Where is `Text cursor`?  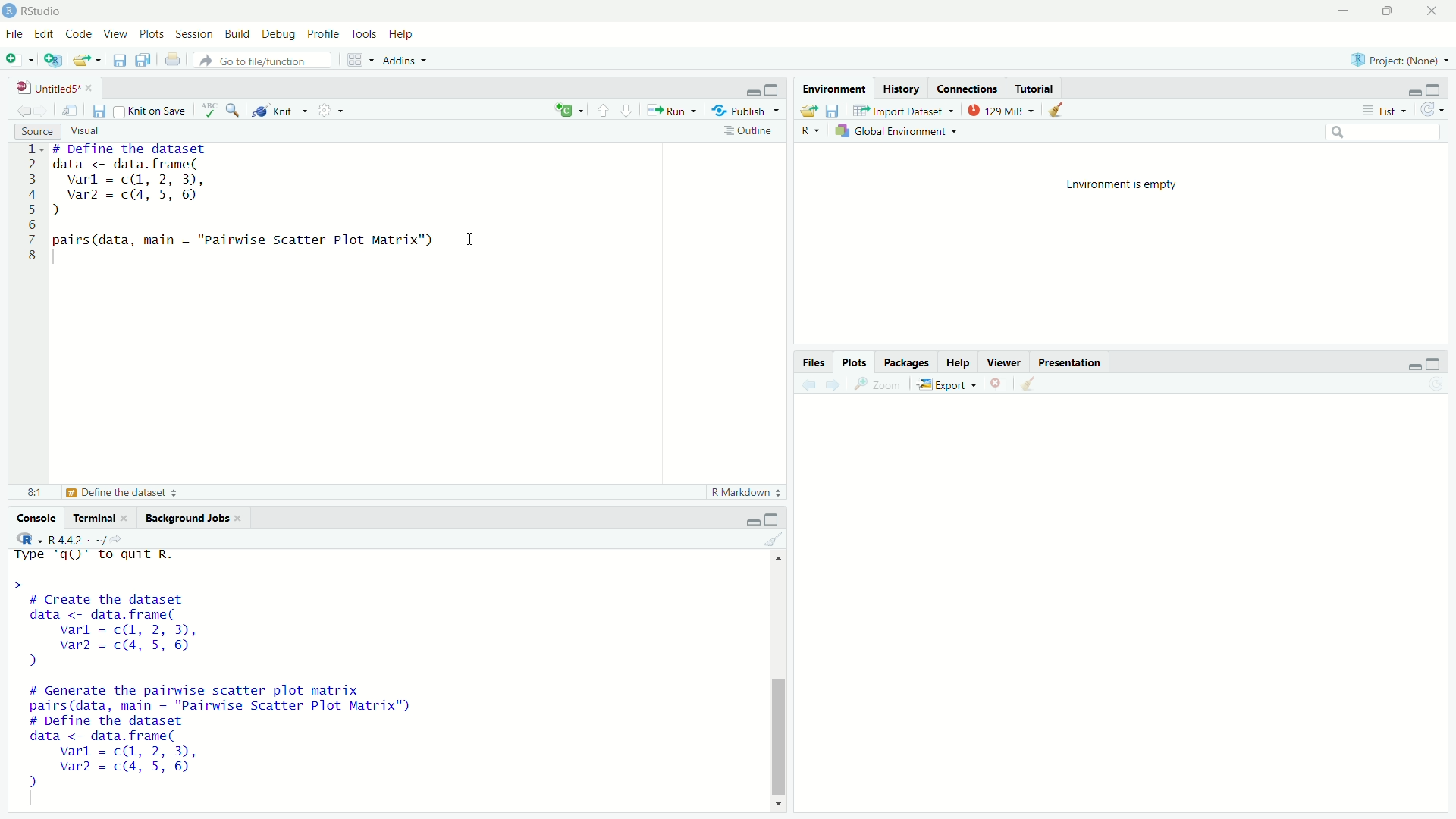
Text cursor is located at coordinates (469, 236).